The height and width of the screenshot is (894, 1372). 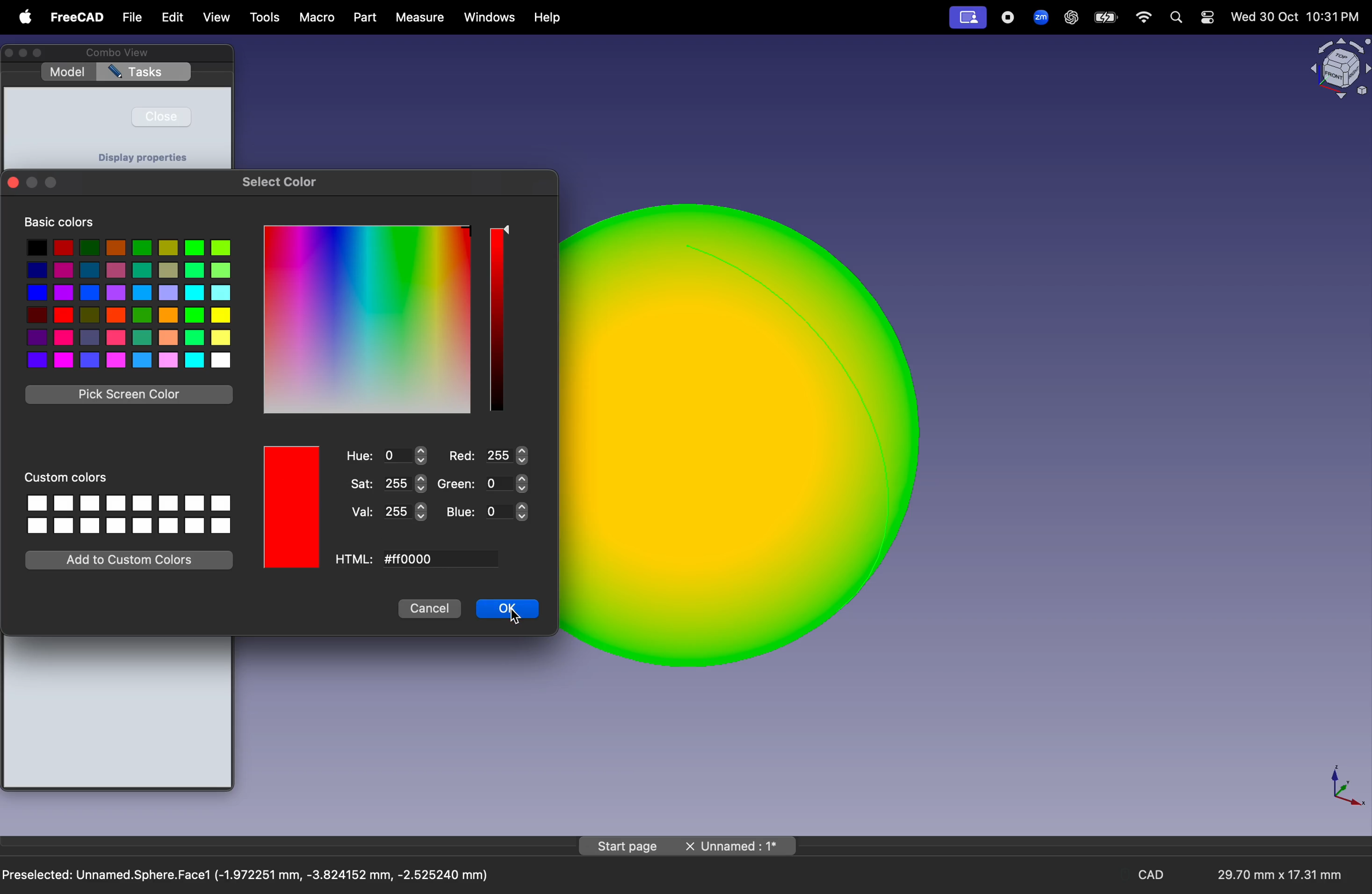 What do you see at coordinates (1294, 17) in the screenshot?
I see `Wed 30 Oct 10:31 PM` at bounding box center [1294, 17].